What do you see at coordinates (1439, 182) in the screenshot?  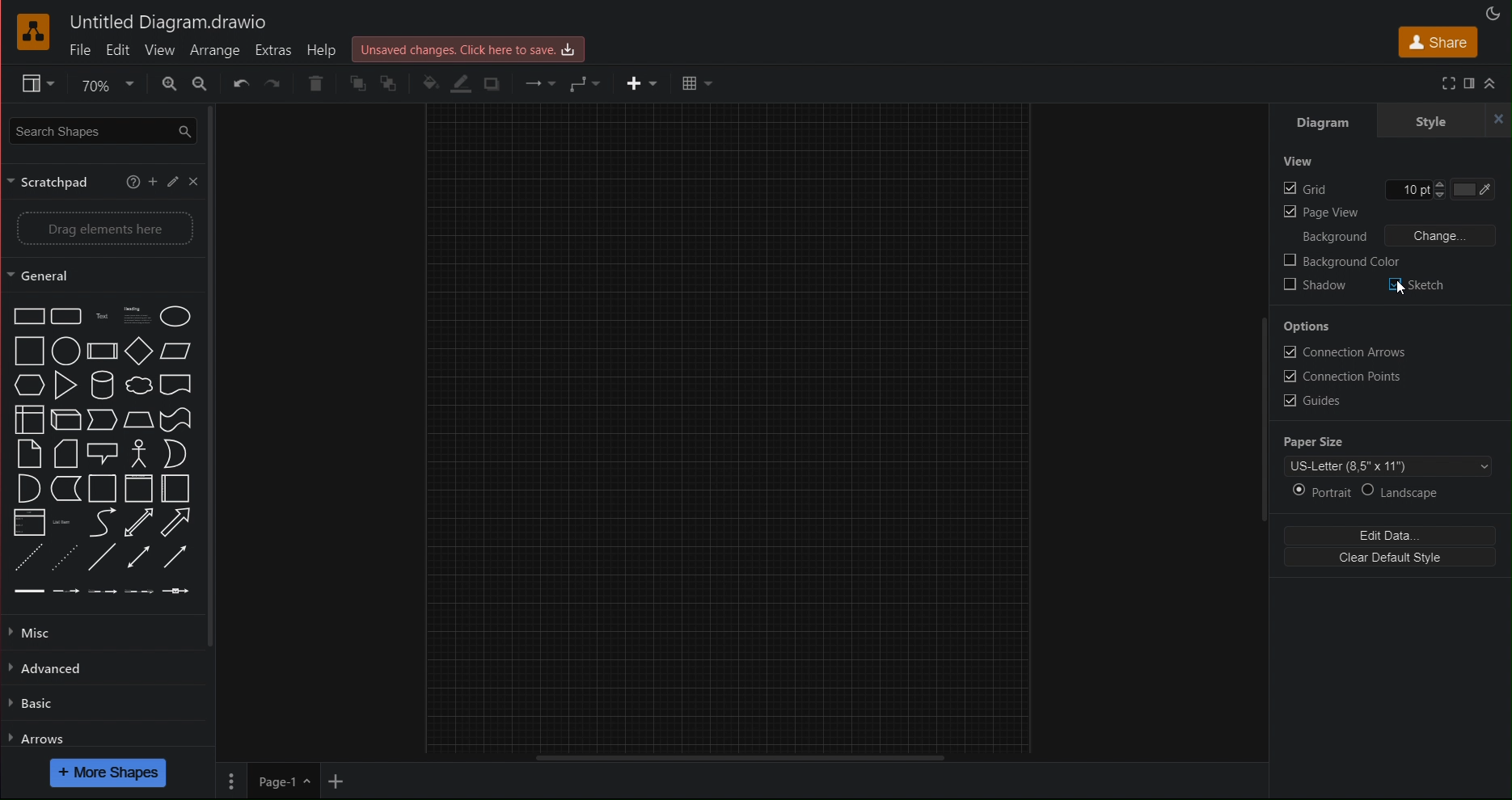 I see `increase grid pt` at bounding box center [1439, 182].